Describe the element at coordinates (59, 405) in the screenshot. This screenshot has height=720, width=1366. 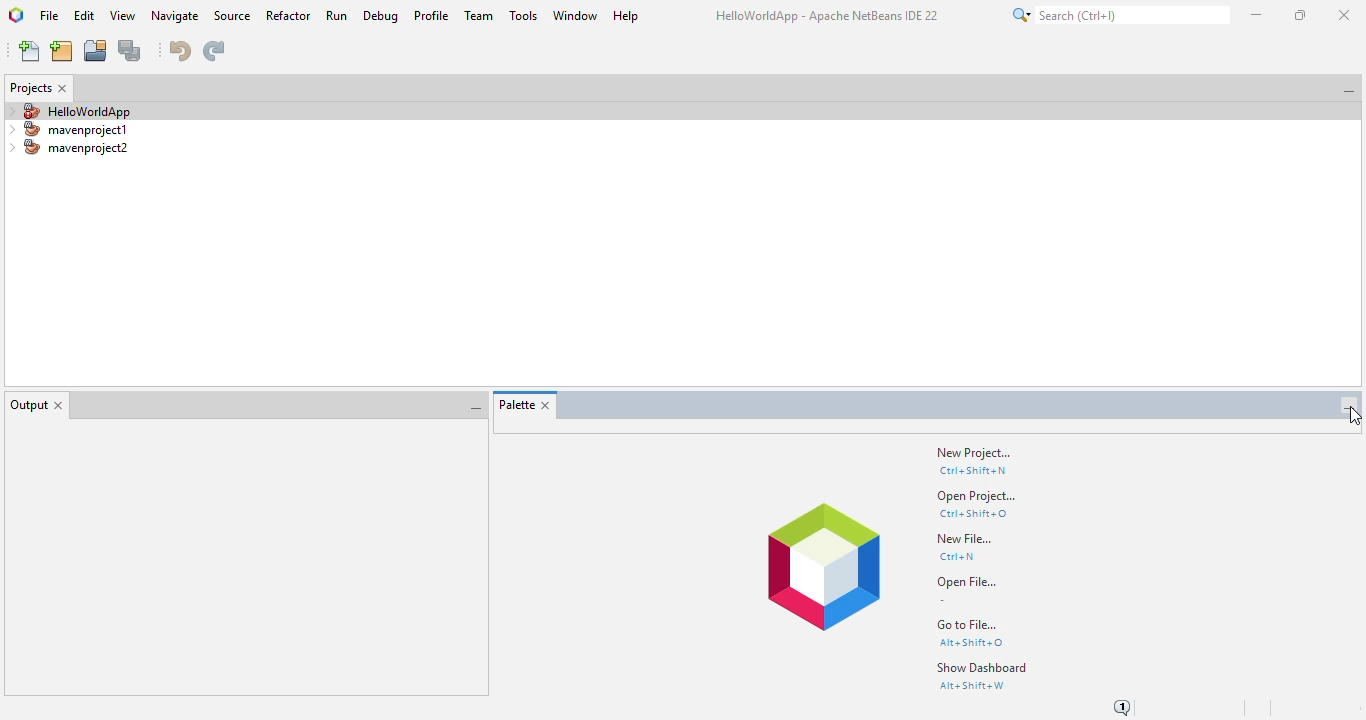
I see `close window` at that location.